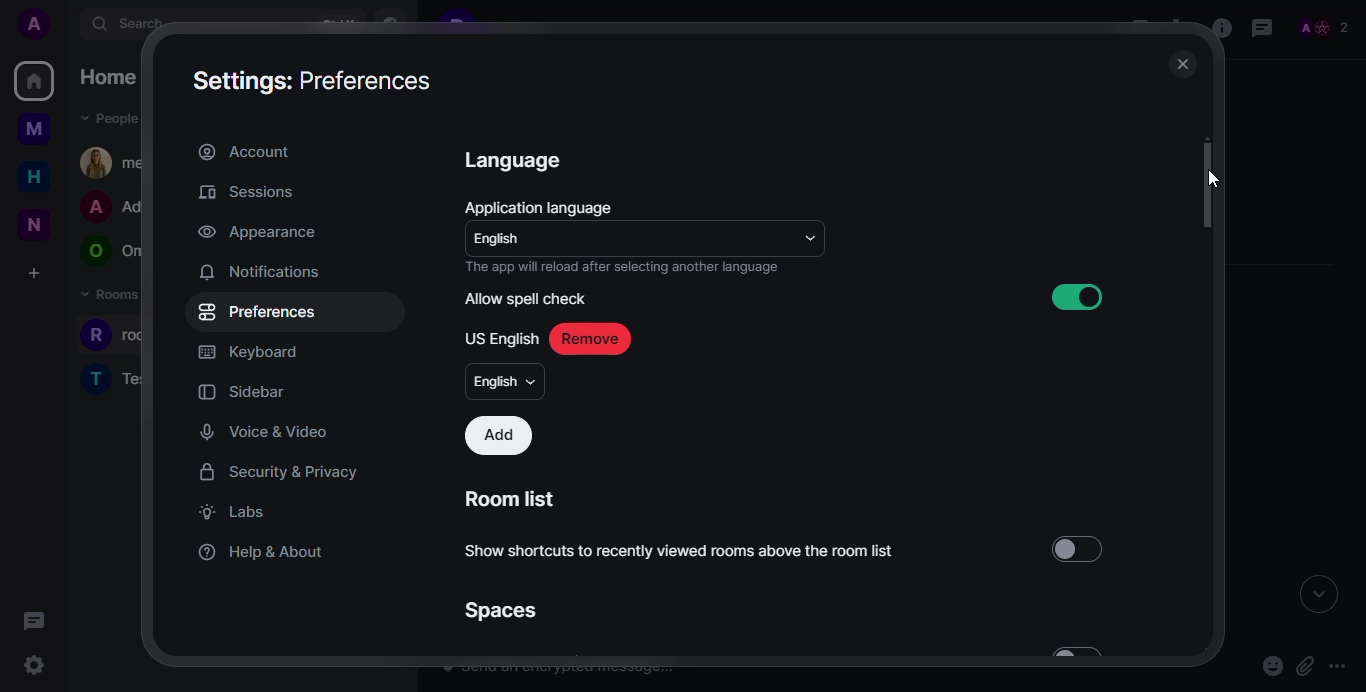  What do you see at coordinates (265, 432) in the screenshot?
I see `voice video` at bounding box center [265, 432].